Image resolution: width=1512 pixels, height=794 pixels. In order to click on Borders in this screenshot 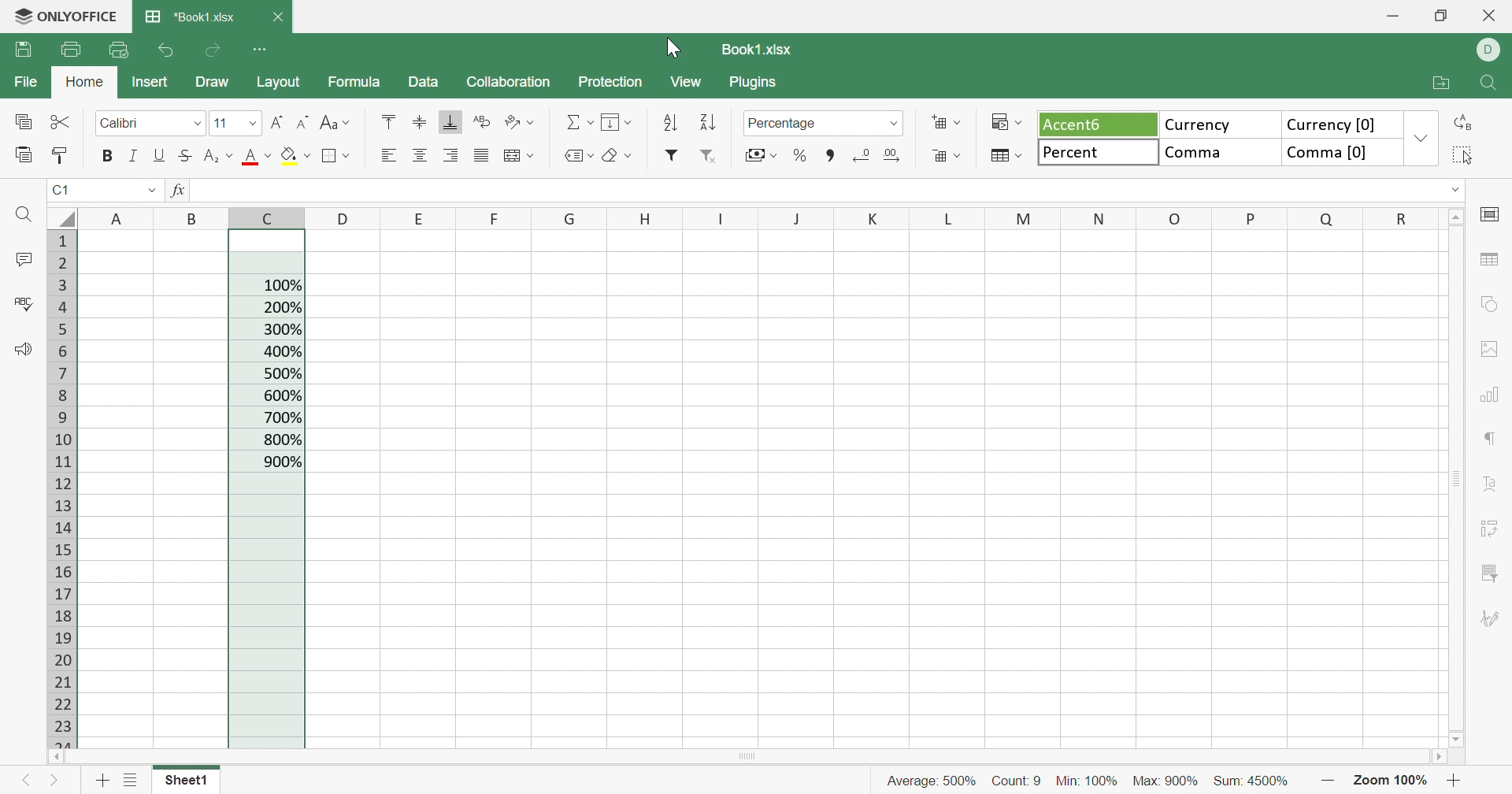, I will do `click(338, 157)`.